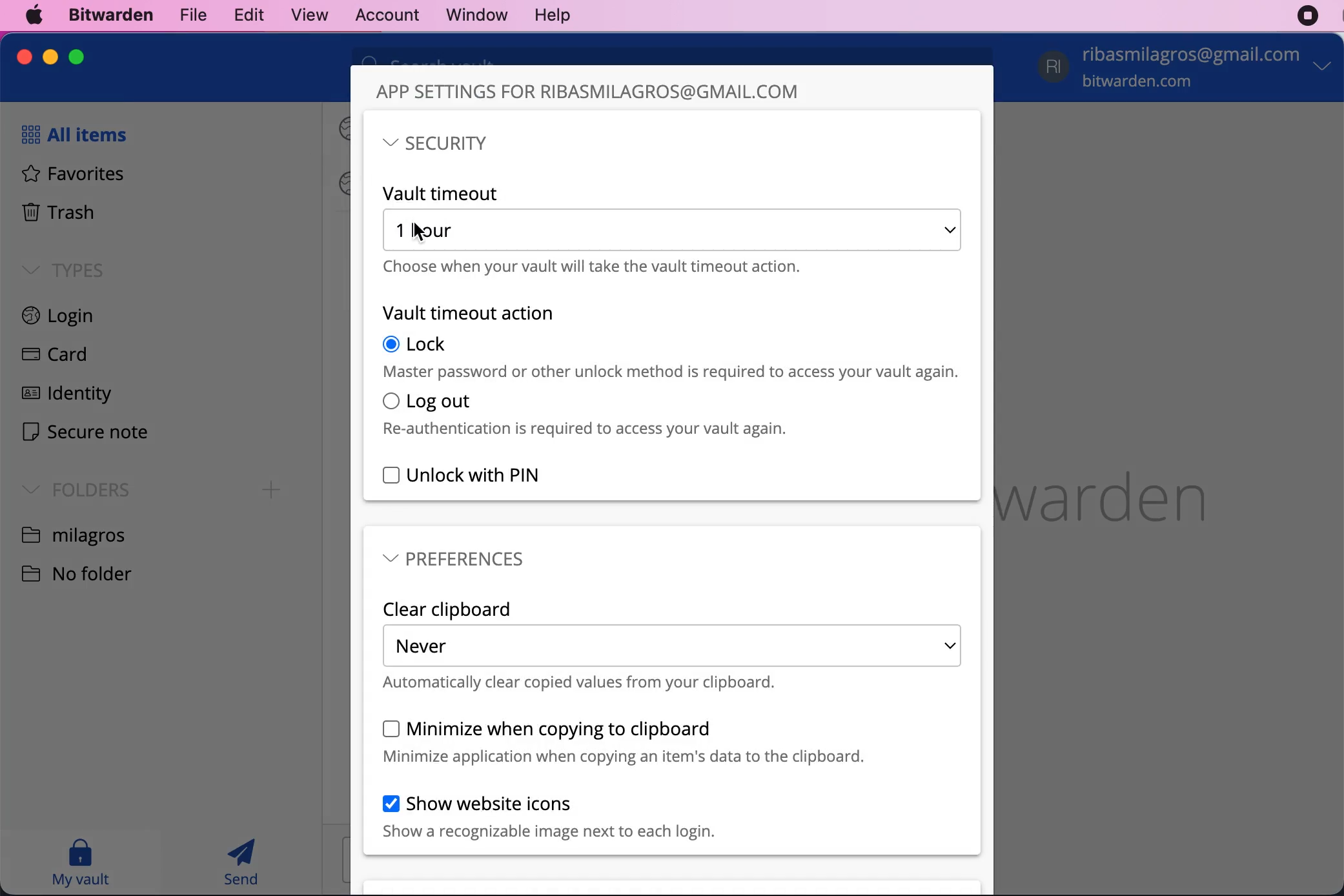 The image size is (1344, 896). Describe the element at coordinates (1126, 491) in the screenshot. I see `bitwarden logo` at that location.